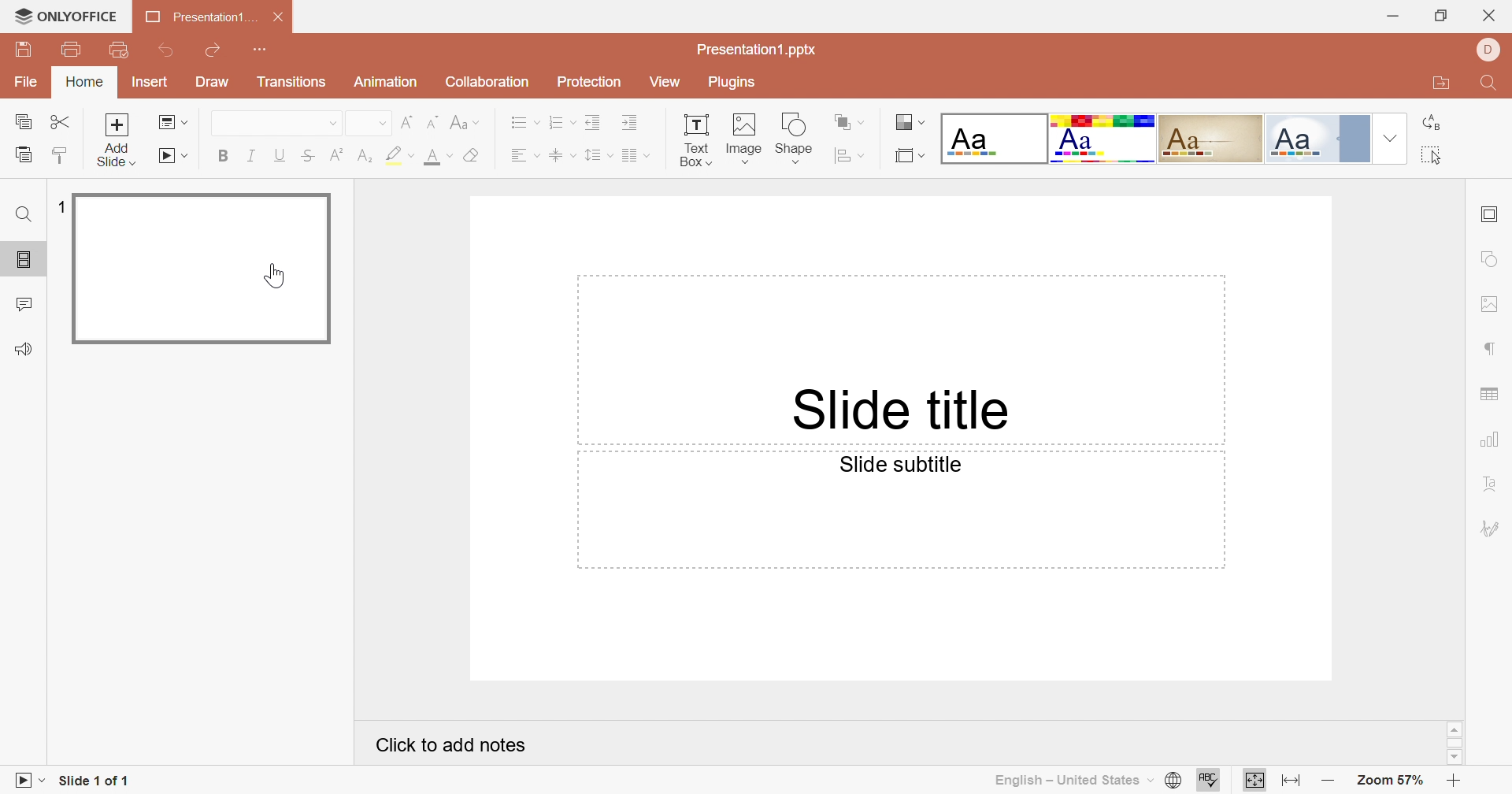 This screenshot has height=794, width=1512. I want to click on Change slide layout, so click(161, 122).